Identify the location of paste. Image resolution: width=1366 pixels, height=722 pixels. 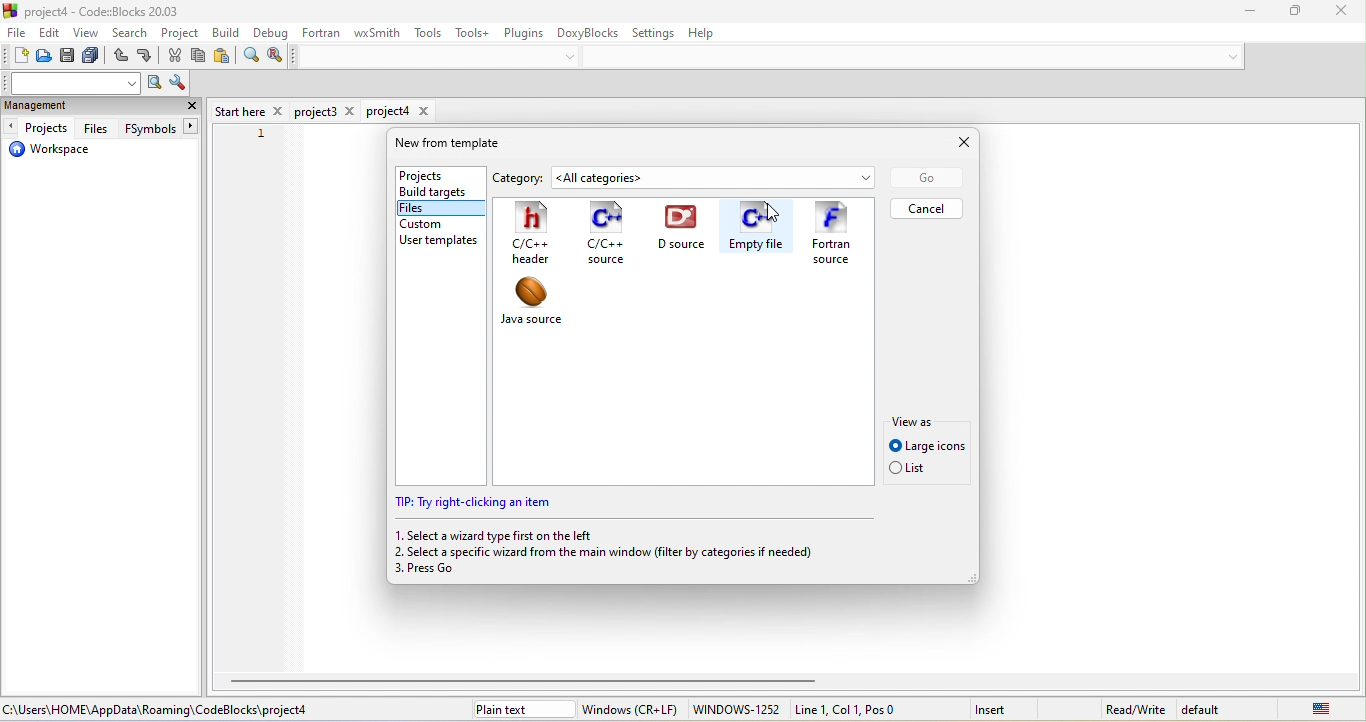
(223, 58).